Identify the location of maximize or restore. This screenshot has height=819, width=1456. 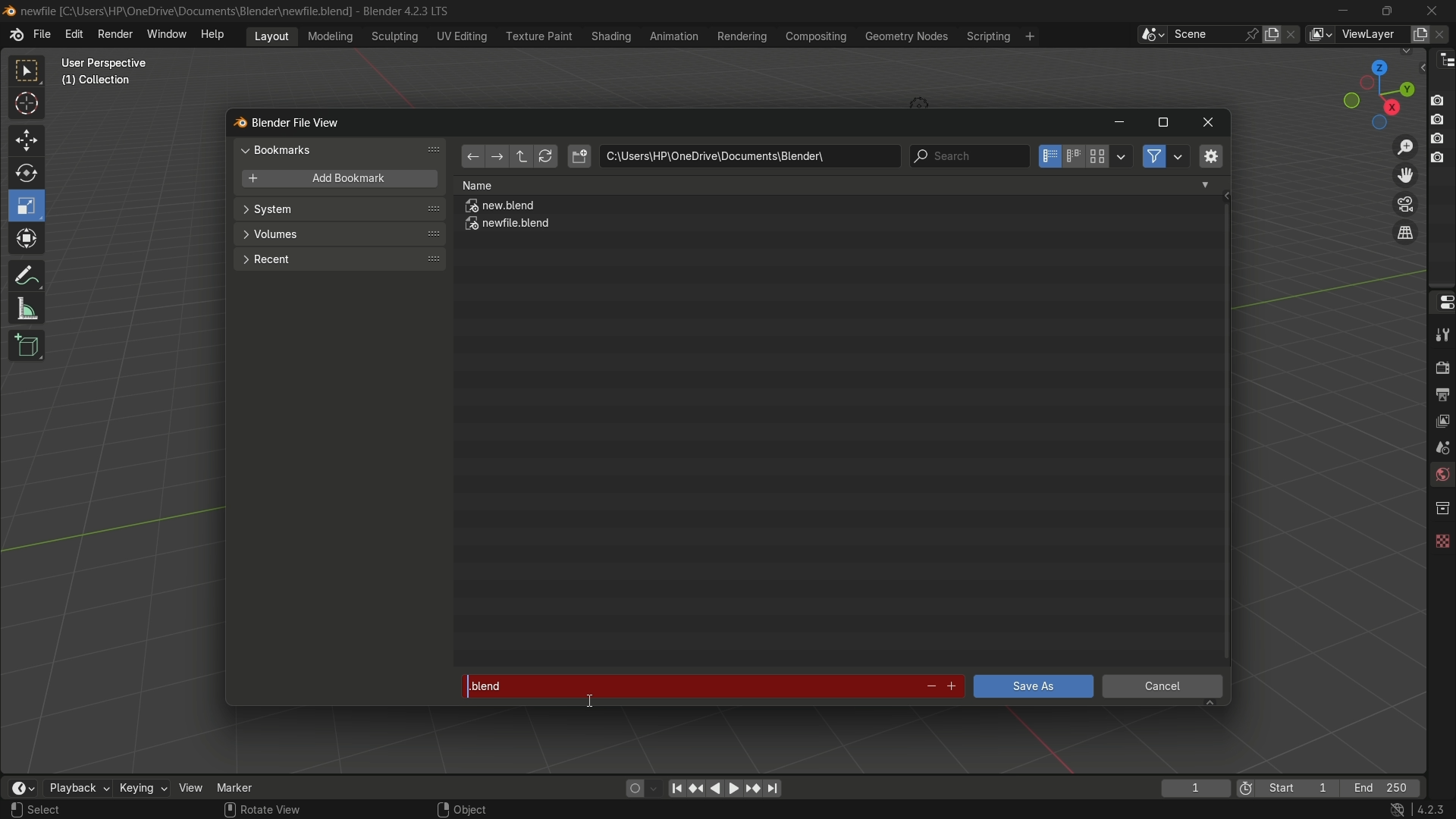
(1386, 10).